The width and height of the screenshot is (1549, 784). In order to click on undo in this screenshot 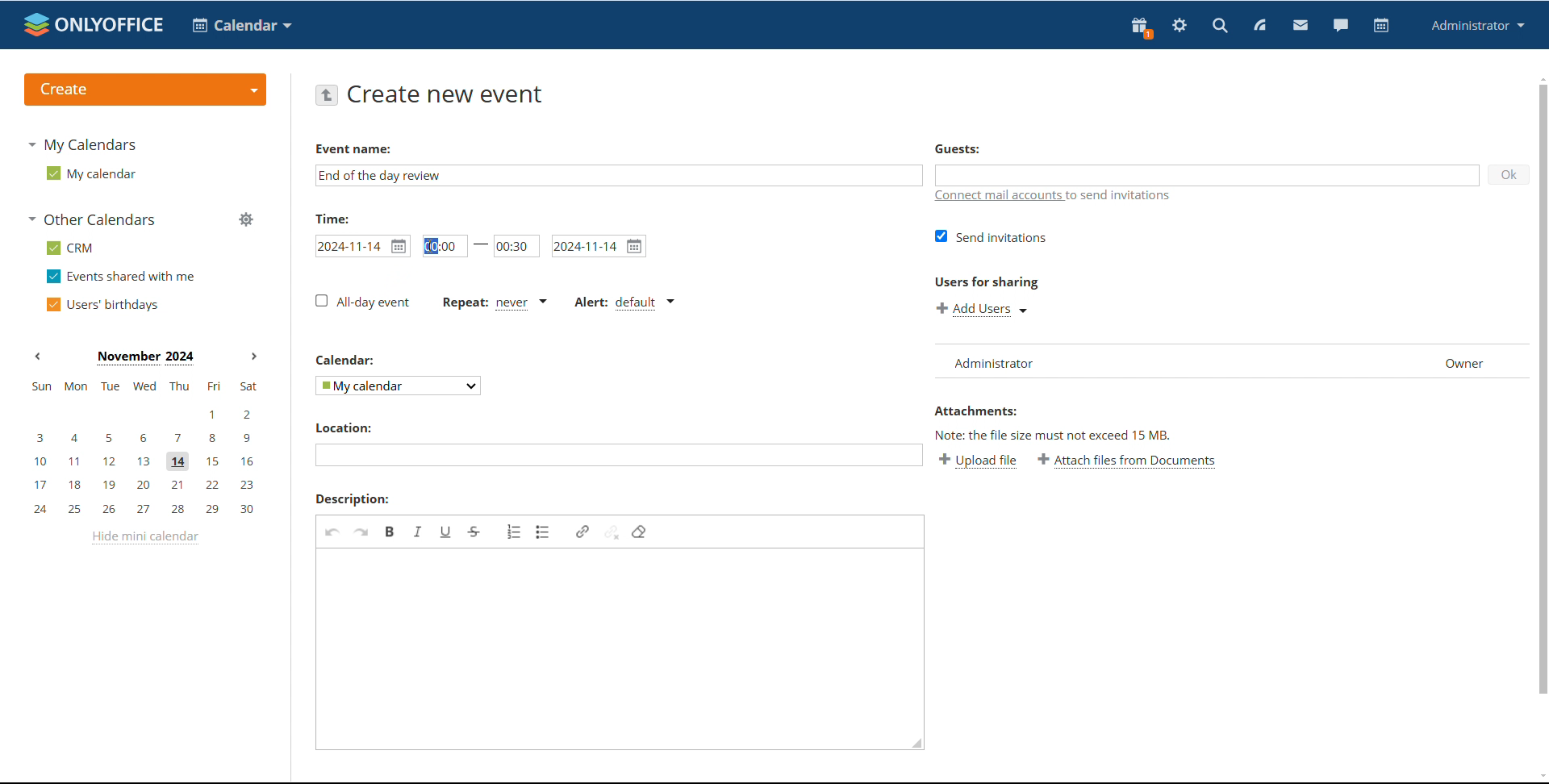, I will do `click(332, 532)`.